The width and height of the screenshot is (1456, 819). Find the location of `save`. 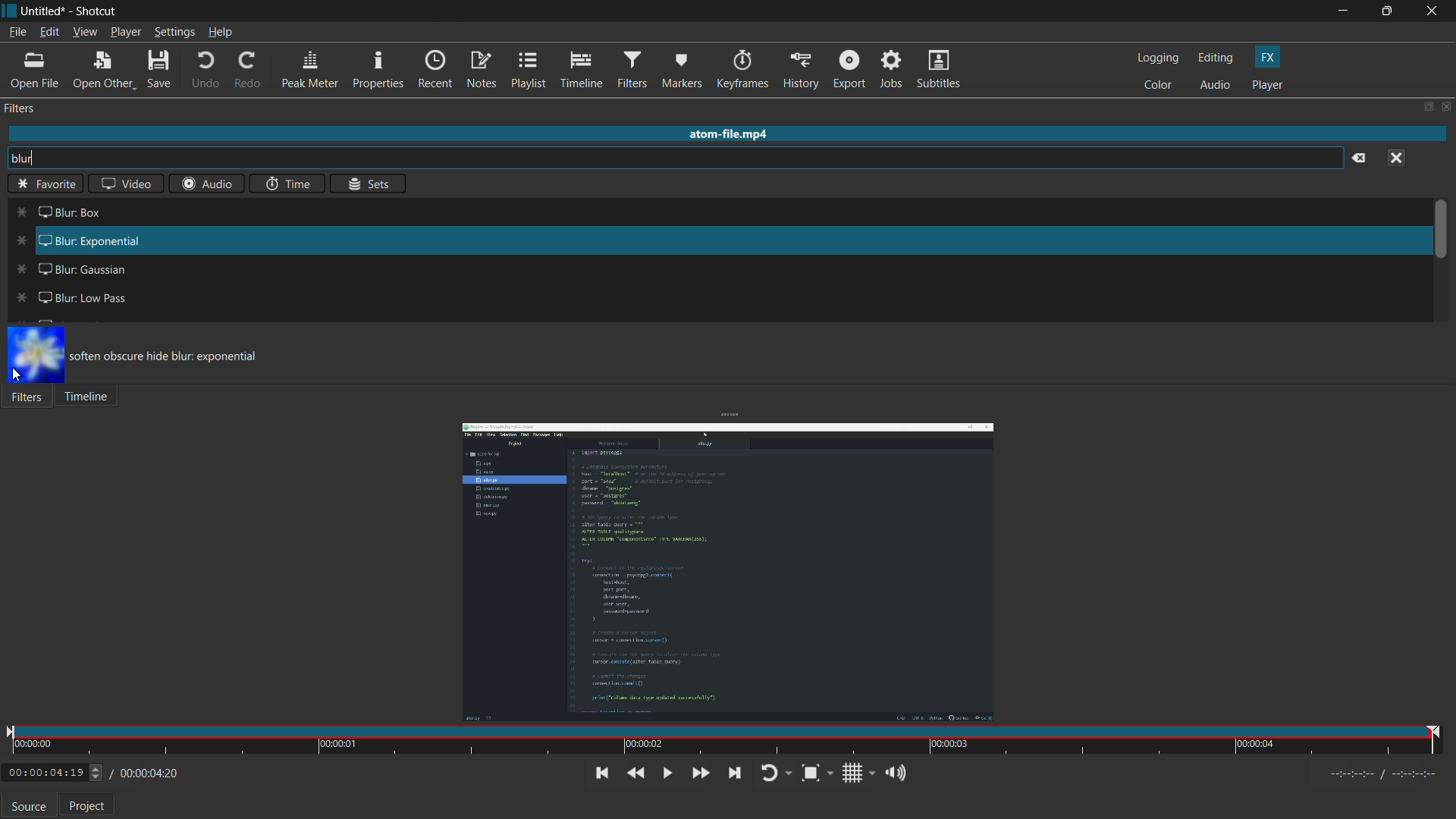

save is located at coordinates (162, 71).